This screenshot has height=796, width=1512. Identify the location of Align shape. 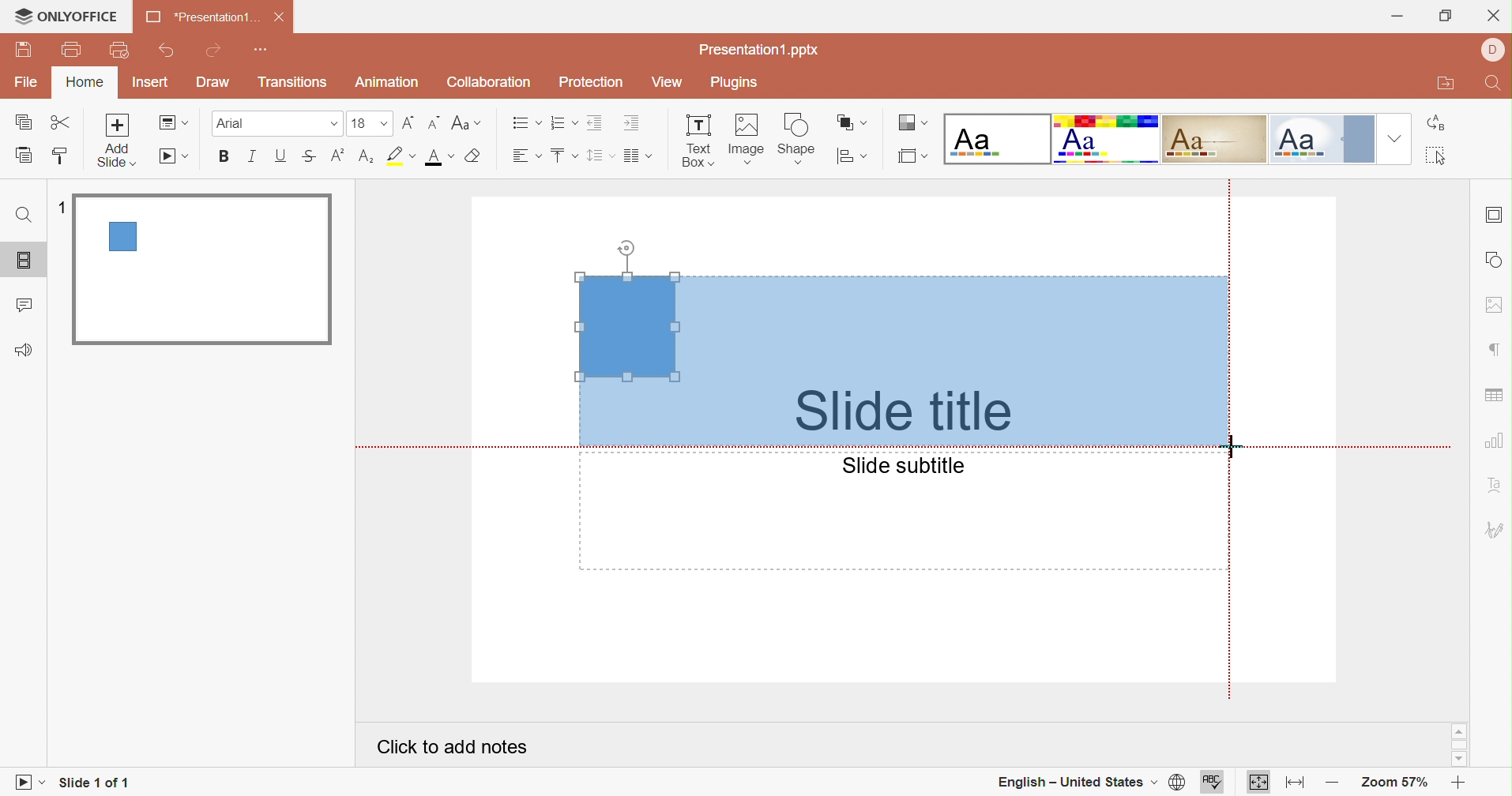
(852, 160).